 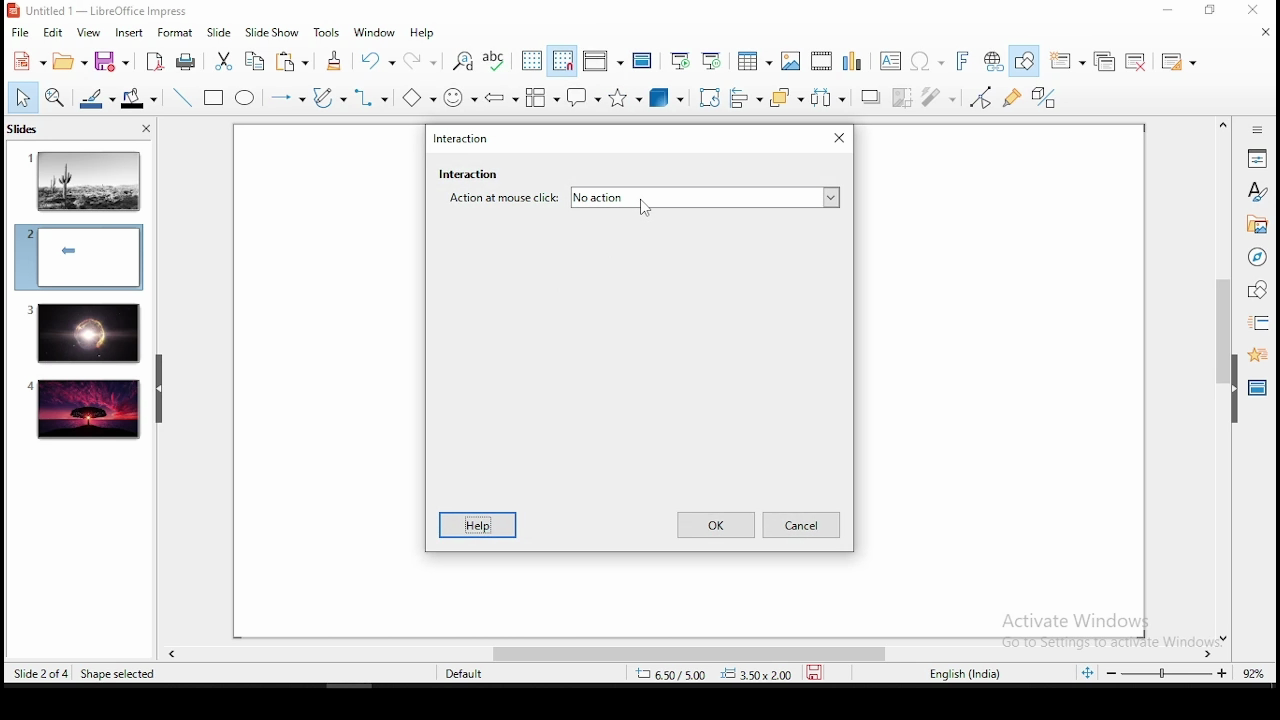 What do you see at coordinates (424, 33) in the screenshot?
I see `help` at bounding box center [424, 33].